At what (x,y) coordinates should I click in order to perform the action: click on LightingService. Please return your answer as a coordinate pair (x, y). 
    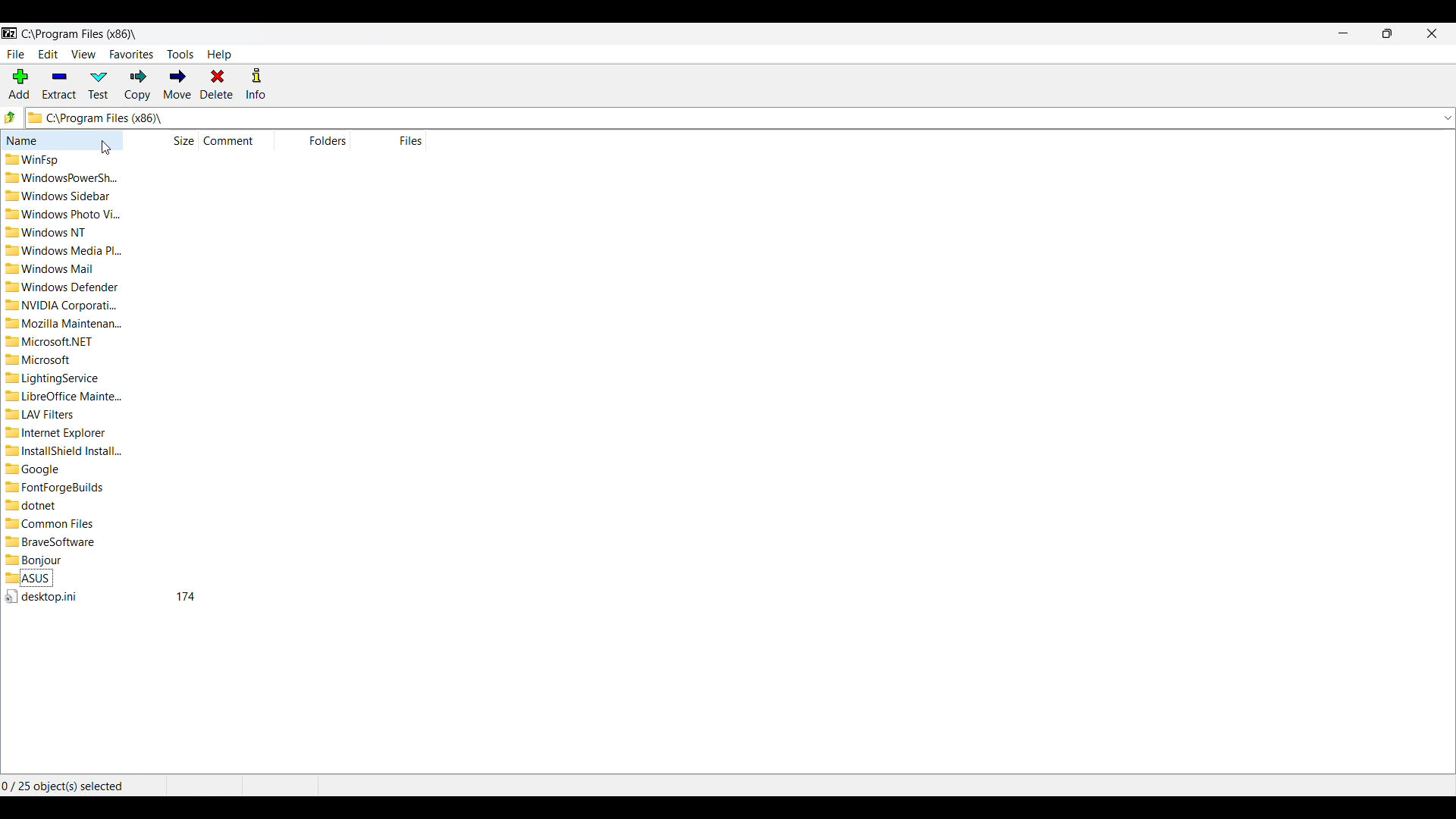
    Looking at the image, I should click on (58, 378).